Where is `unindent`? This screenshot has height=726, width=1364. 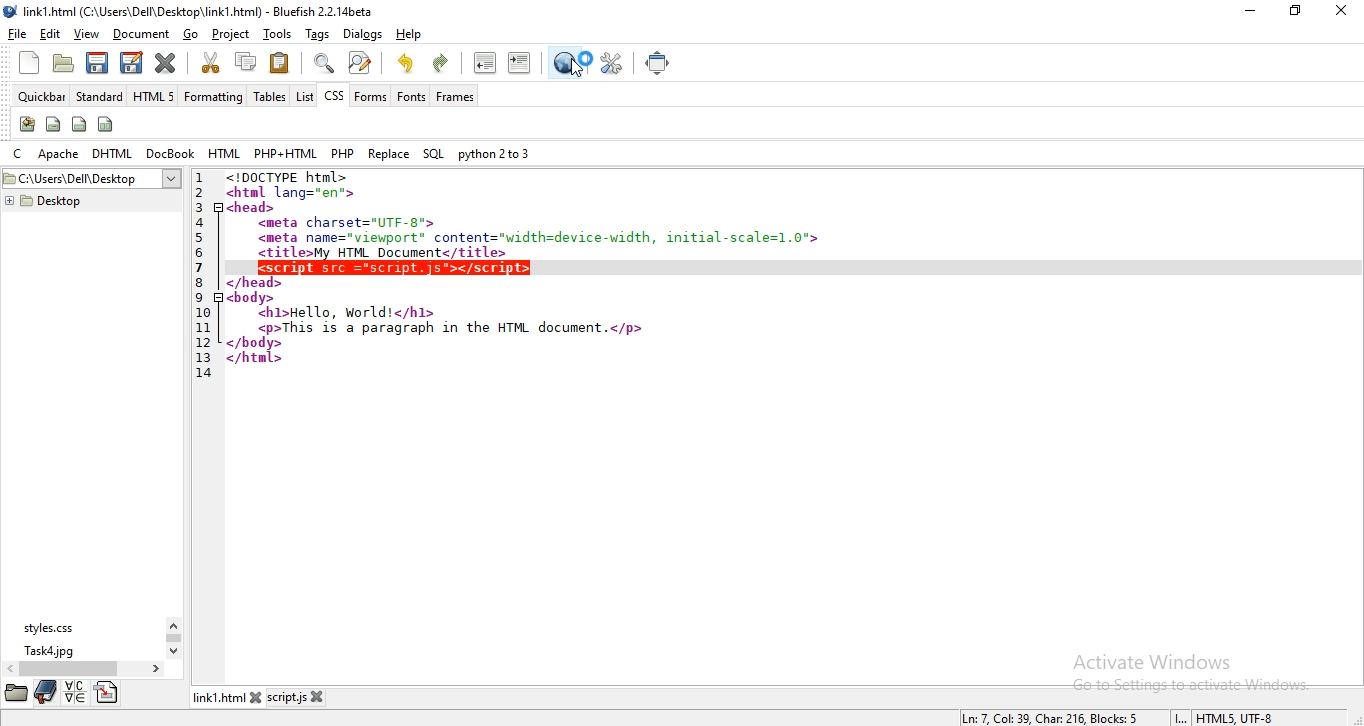 unindent is located at coordinates (486, 63).